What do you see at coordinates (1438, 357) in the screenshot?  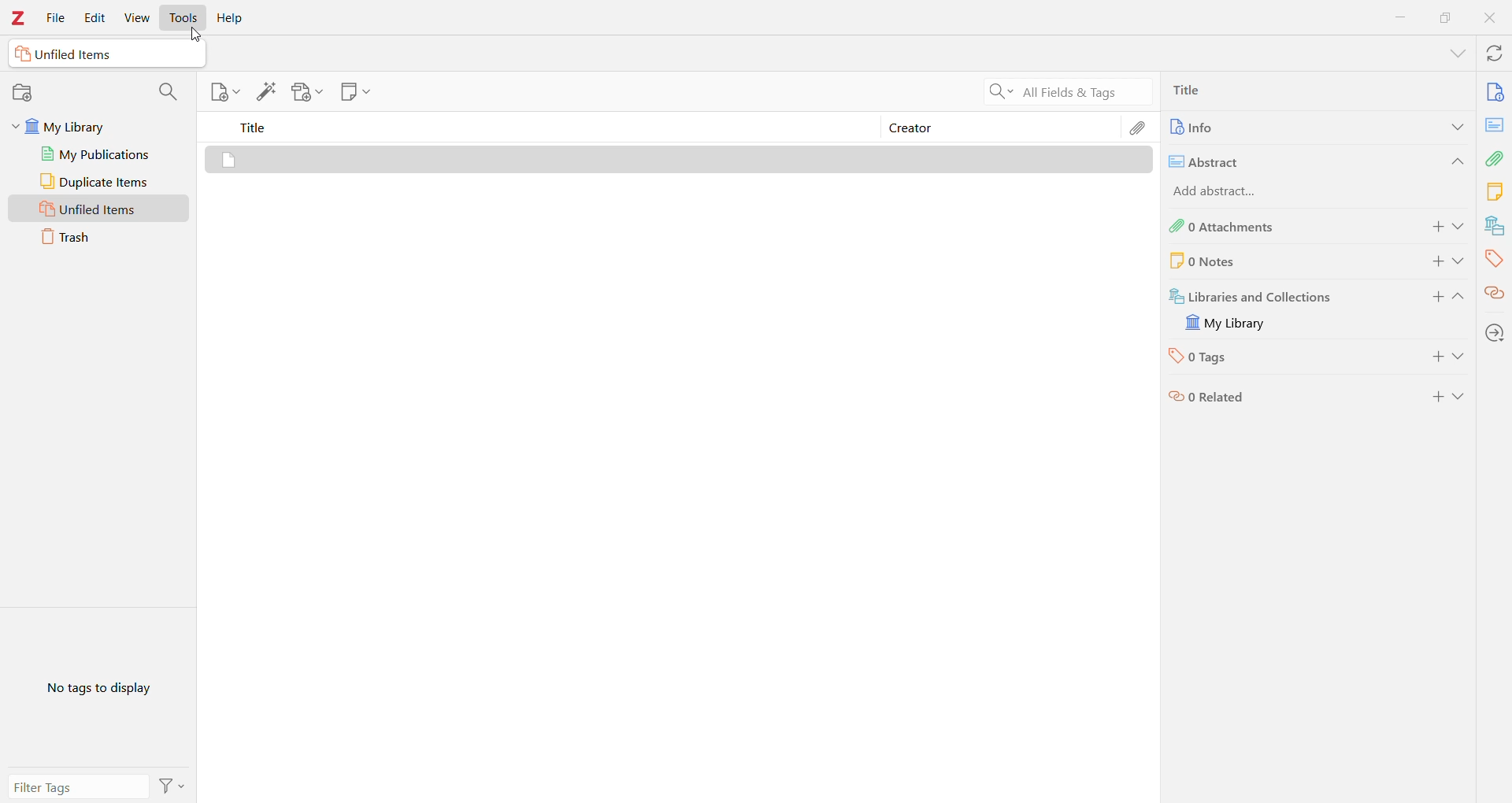 I see `Add` at bounding box center [1438, 357].